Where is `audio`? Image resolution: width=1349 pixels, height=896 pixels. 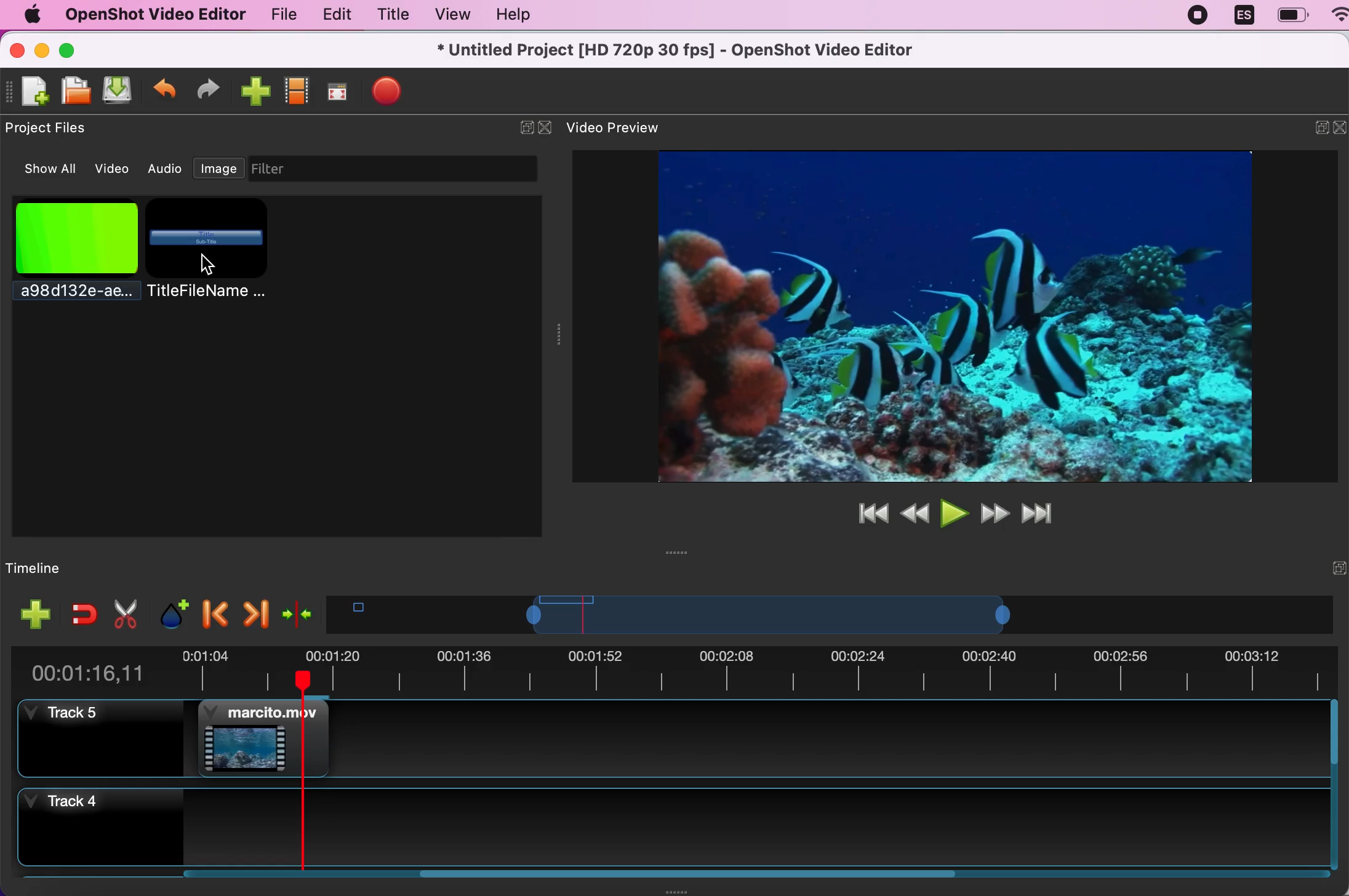
audio is located at coordinates (166, 169).